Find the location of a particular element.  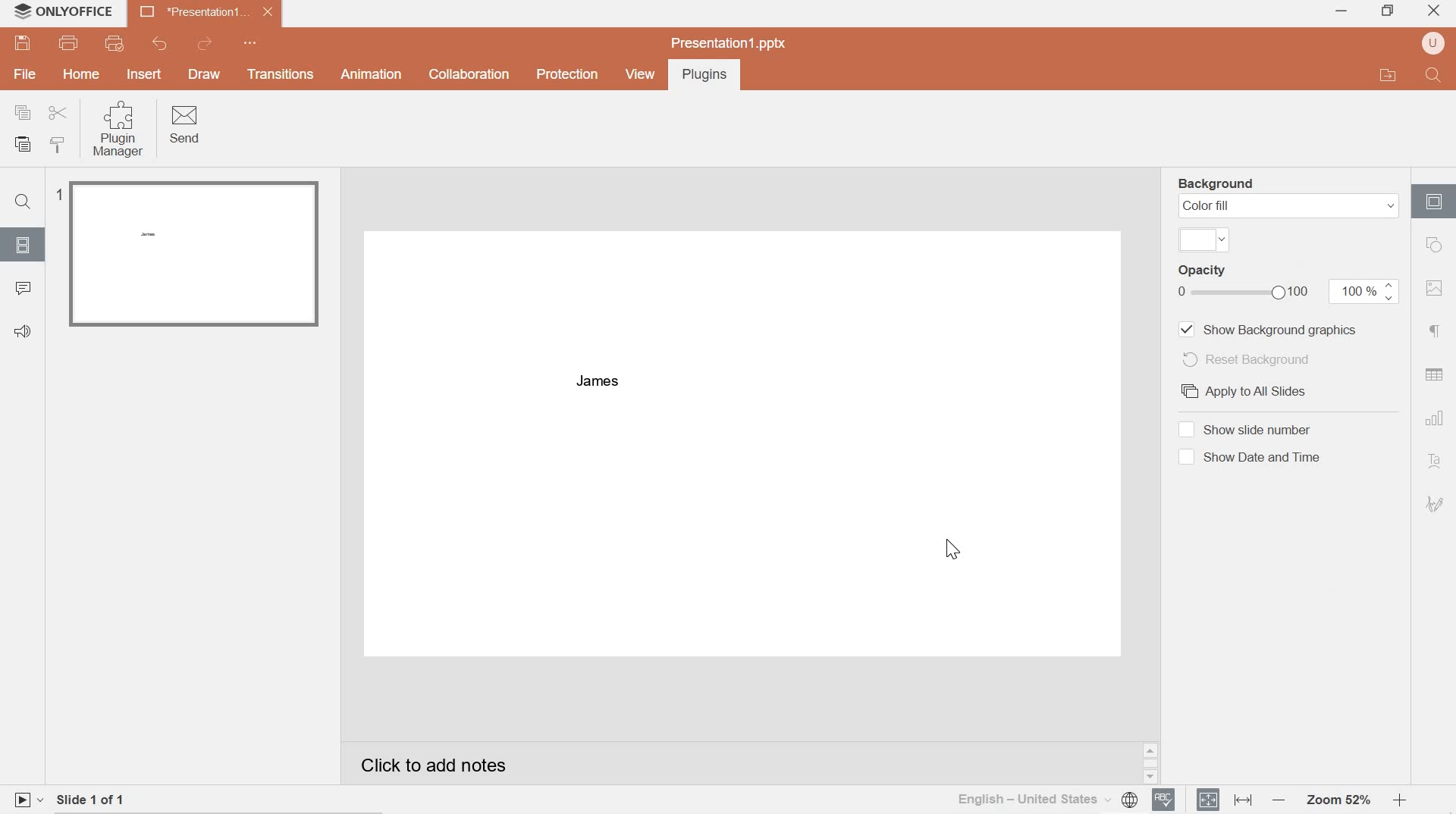

Feedback & support is located at coordinates (23, 331).